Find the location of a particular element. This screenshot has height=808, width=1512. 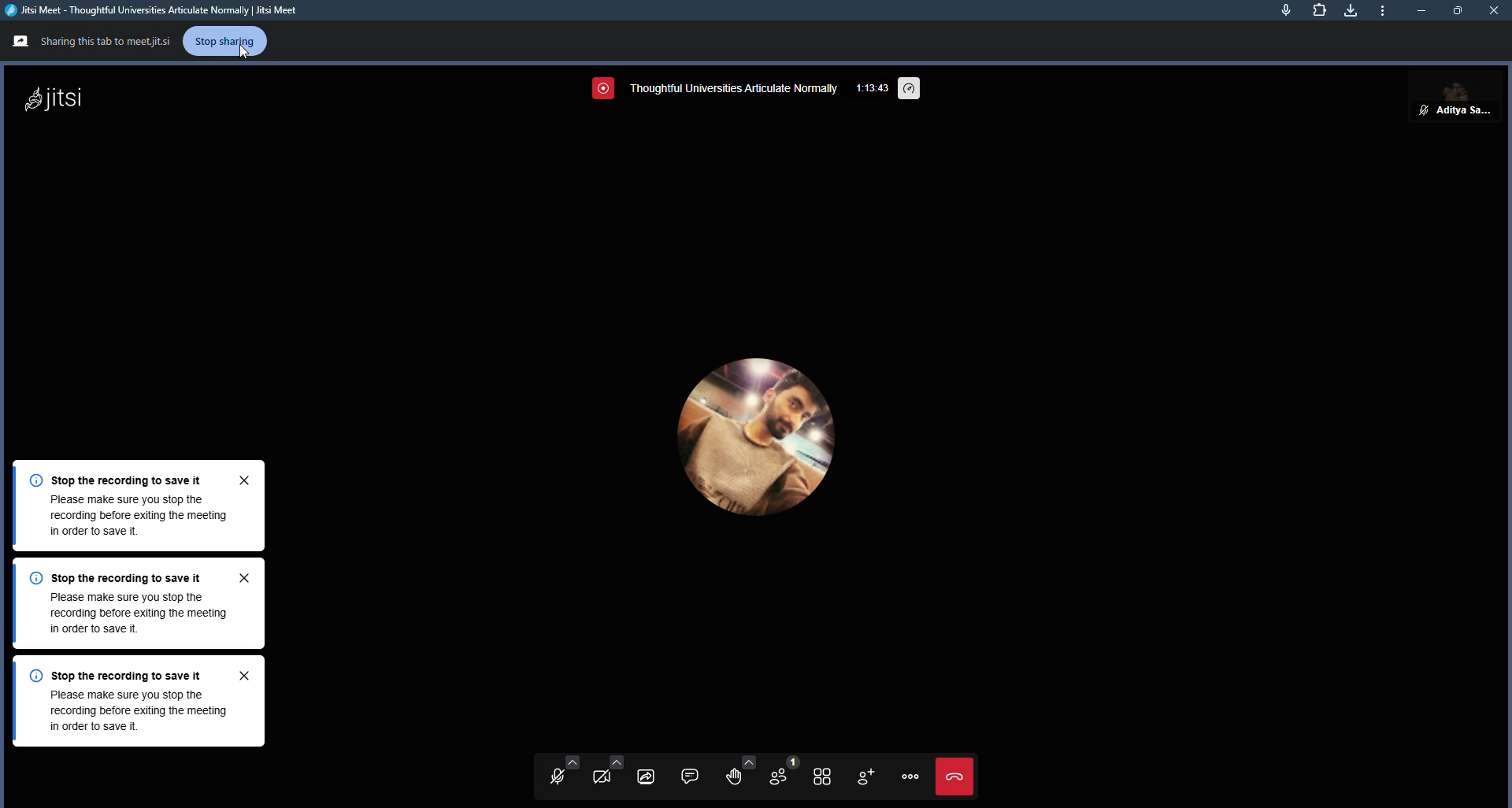

open chat is located at coordinates (686, 774).